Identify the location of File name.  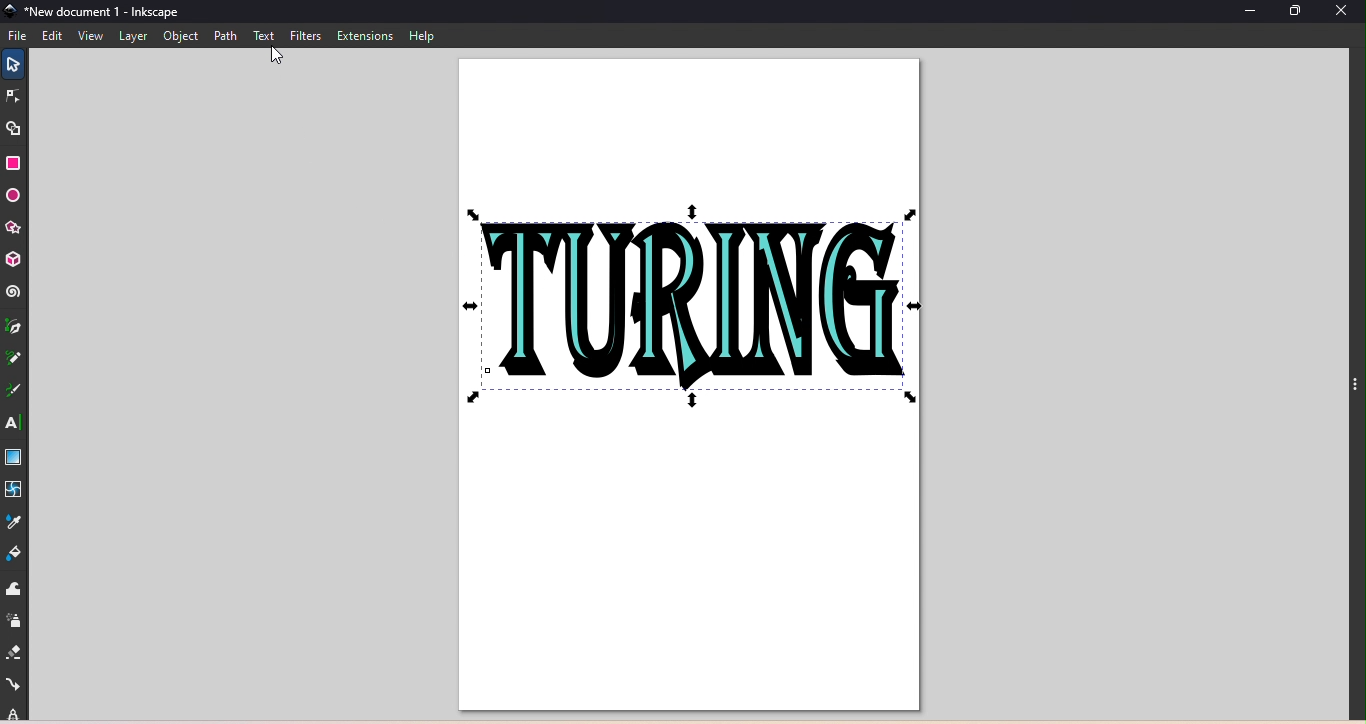
(94, 13).